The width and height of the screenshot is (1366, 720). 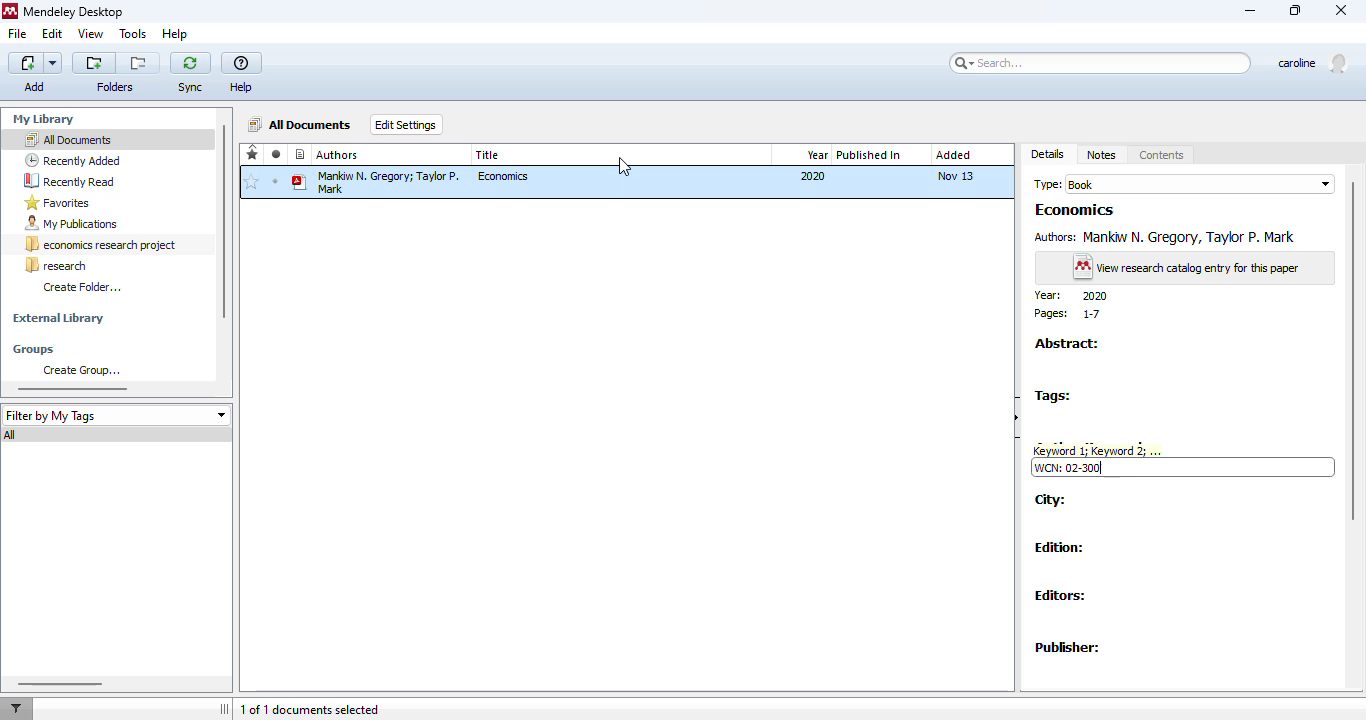 What do you see at coordinates (301, 124) in the screenshot?
I see `all documents` at bounding box center [301, 124].